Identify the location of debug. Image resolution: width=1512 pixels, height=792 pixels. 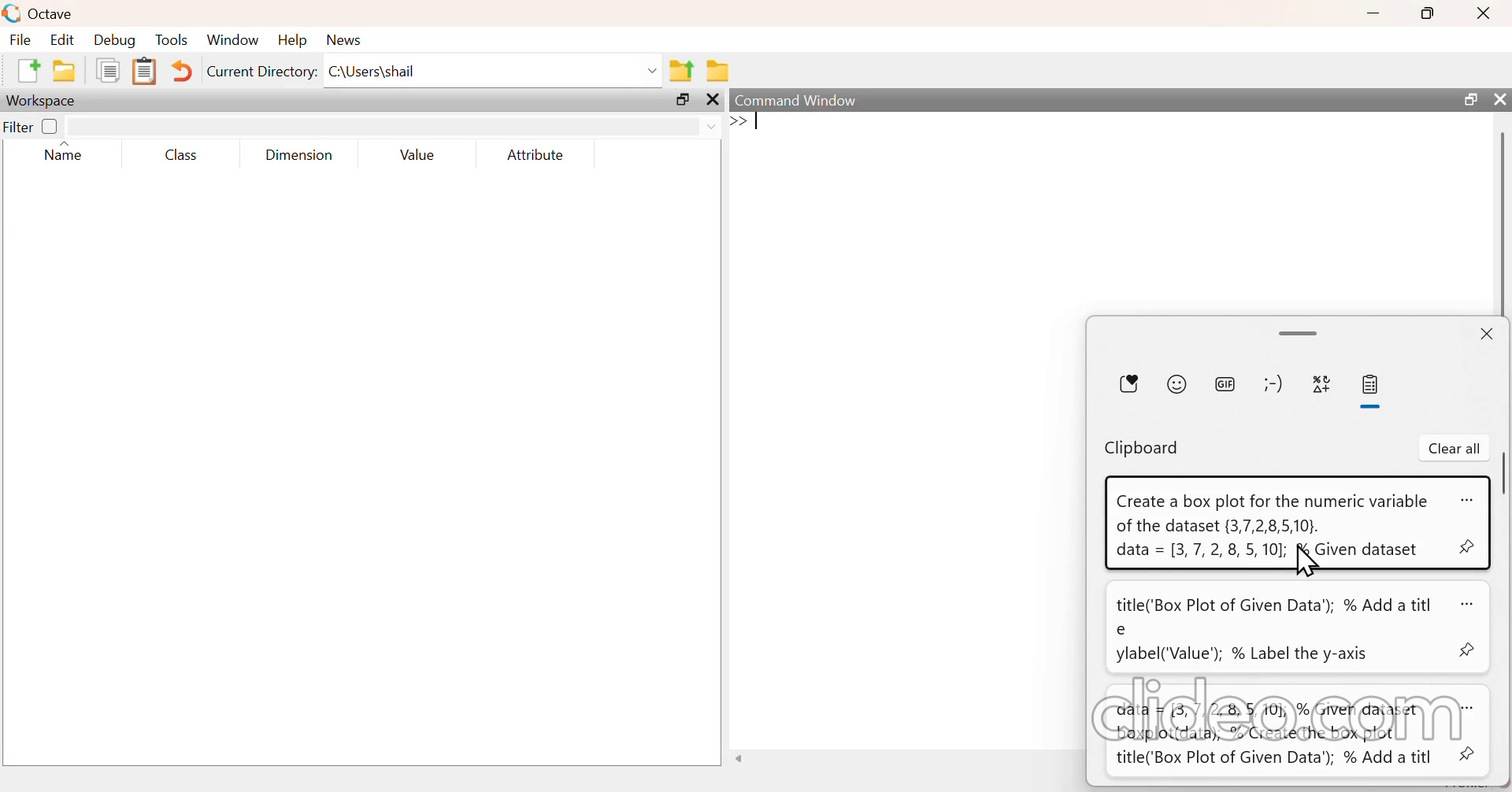
(115, 39).